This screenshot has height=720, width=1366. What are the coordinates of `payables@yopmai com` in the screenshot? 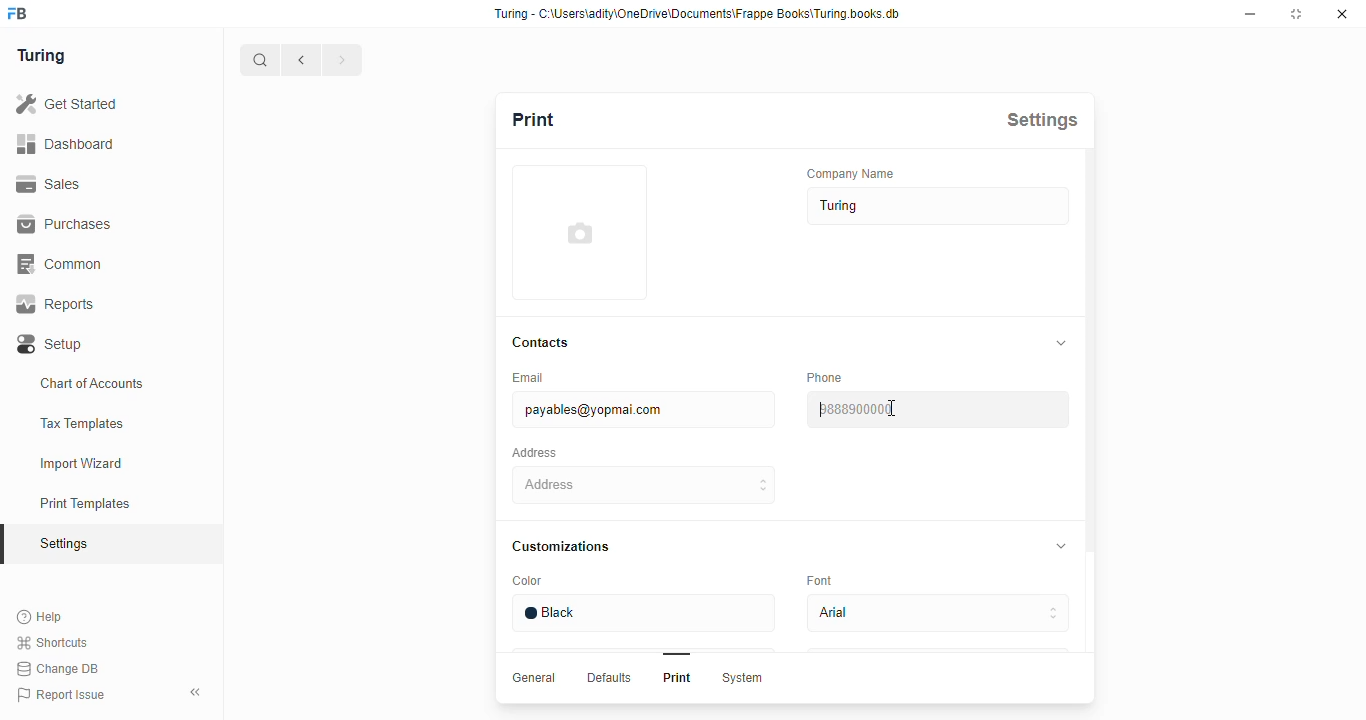 It's located at (636, 411).